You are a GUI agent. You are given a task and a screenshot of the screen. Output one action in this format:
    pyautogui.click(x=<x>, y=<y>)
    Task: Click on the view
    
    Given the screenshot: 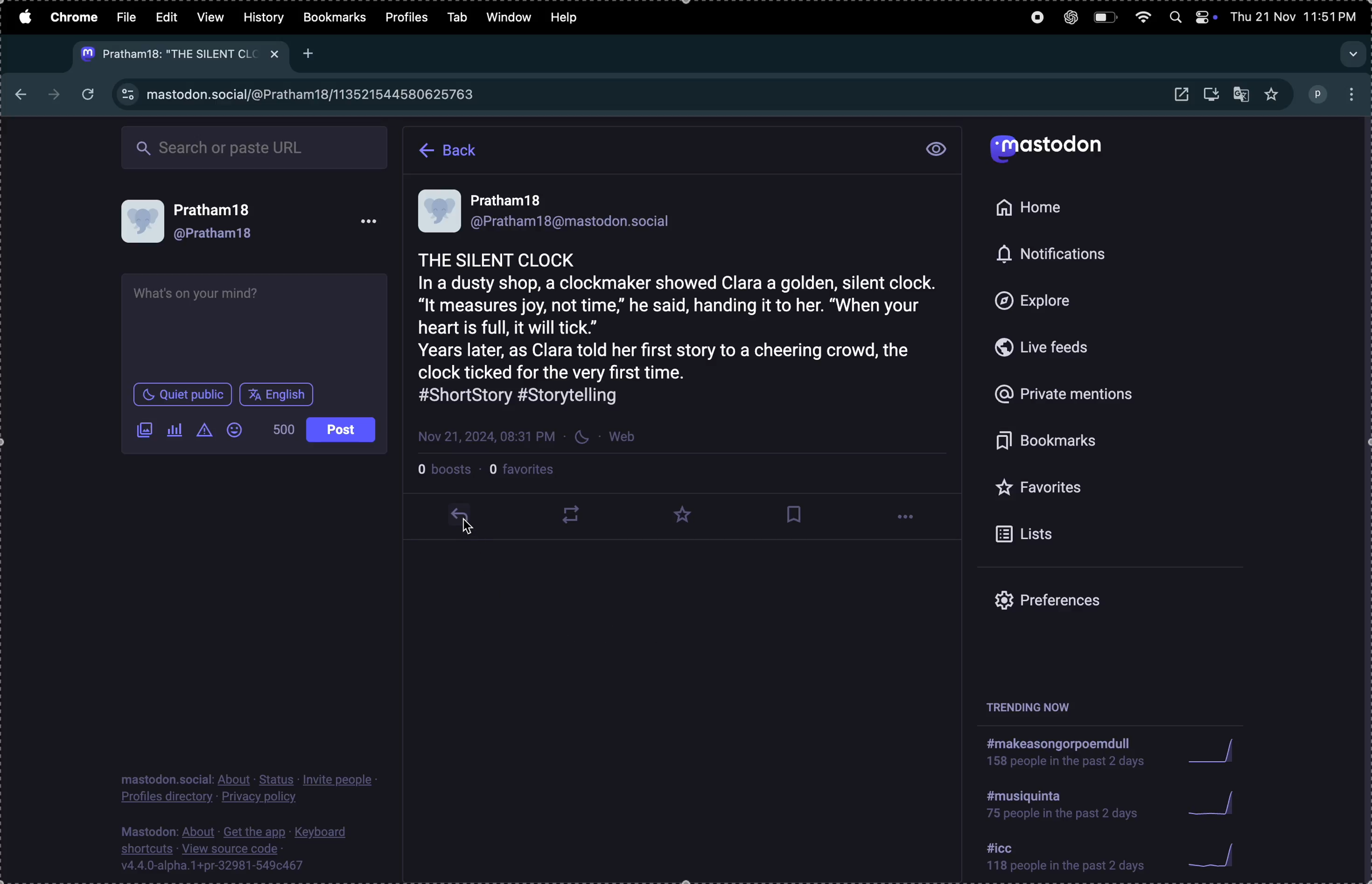 What is the action you would take?
    pyautogui.click(x=936, y=149)
    